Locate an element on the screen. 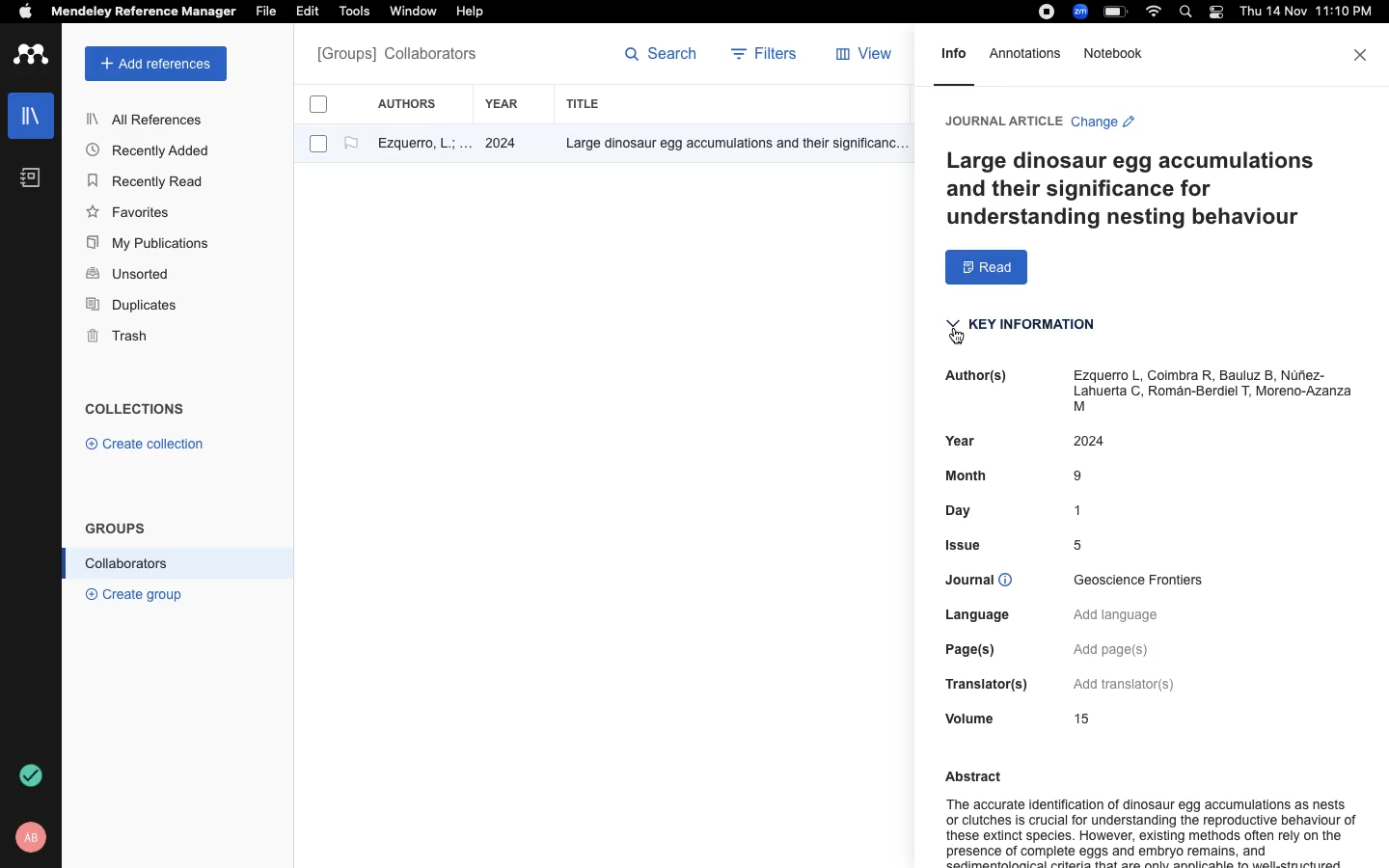  Journal  is located at coordinates (990, 583).